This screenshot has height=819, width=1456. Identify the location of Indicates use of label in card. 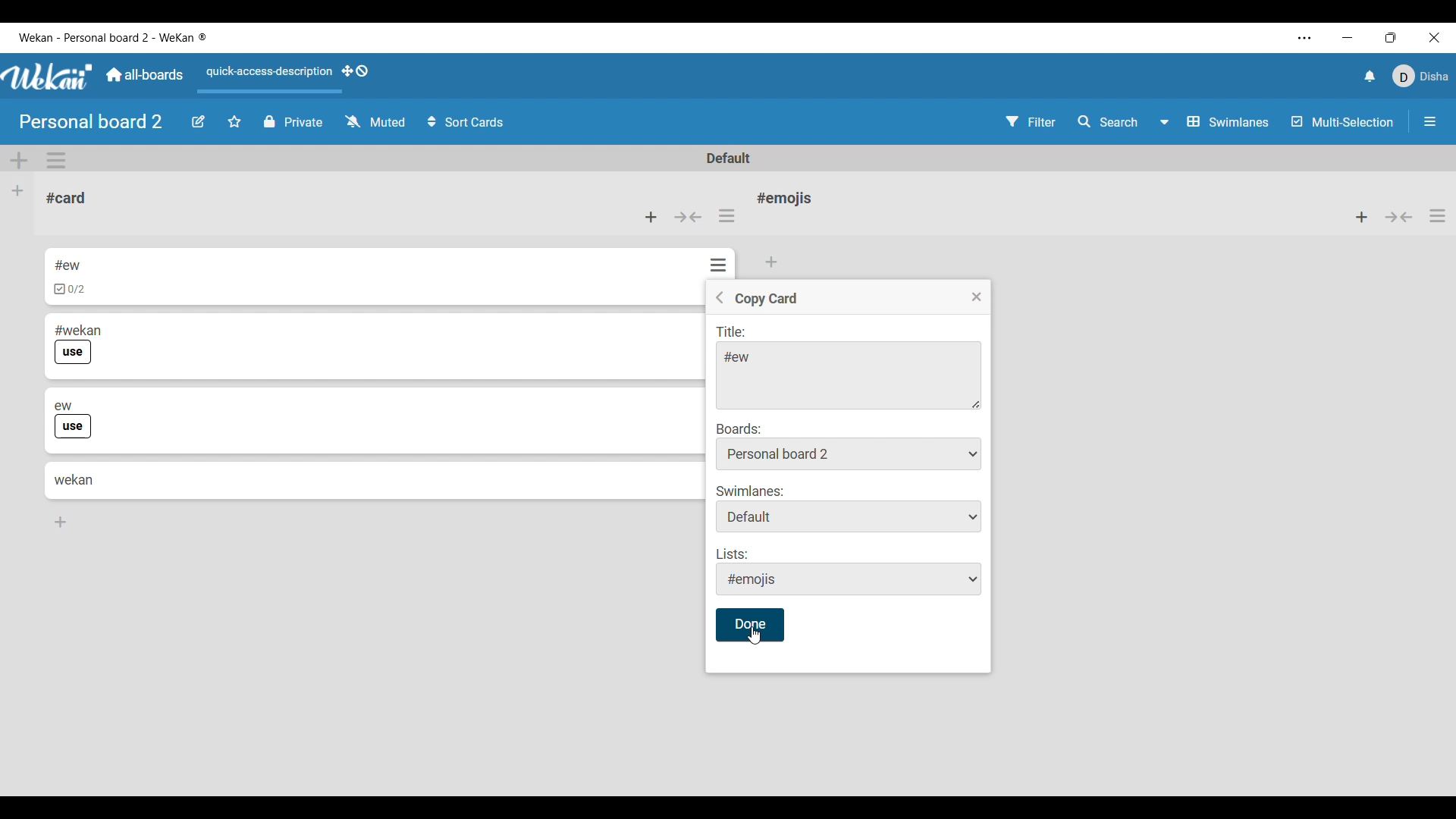
(74, 427).